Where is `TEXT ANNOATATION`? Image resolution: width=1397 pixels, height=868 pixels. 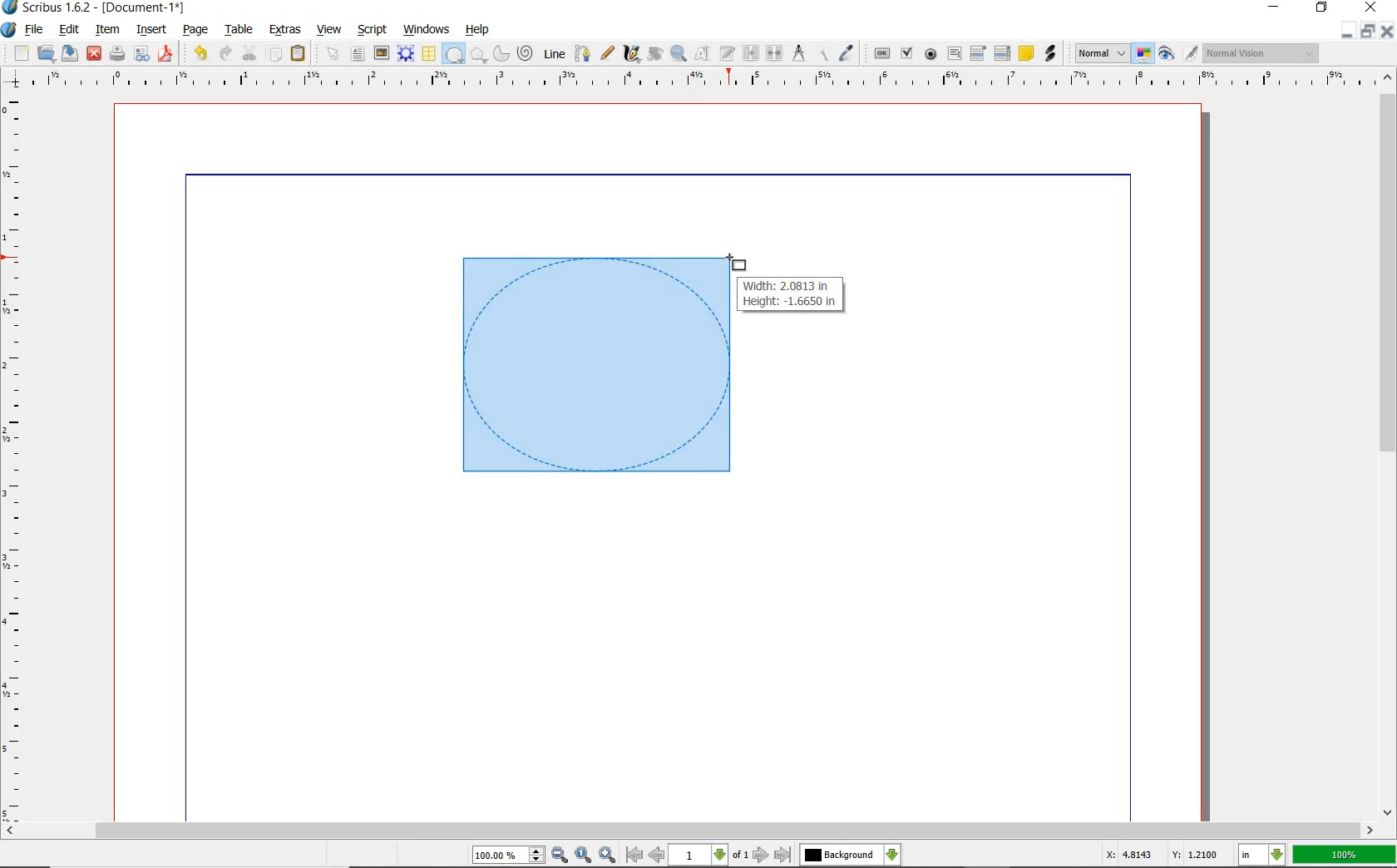 TEXT ANNOATATION is located at coordinates (1025, 52).